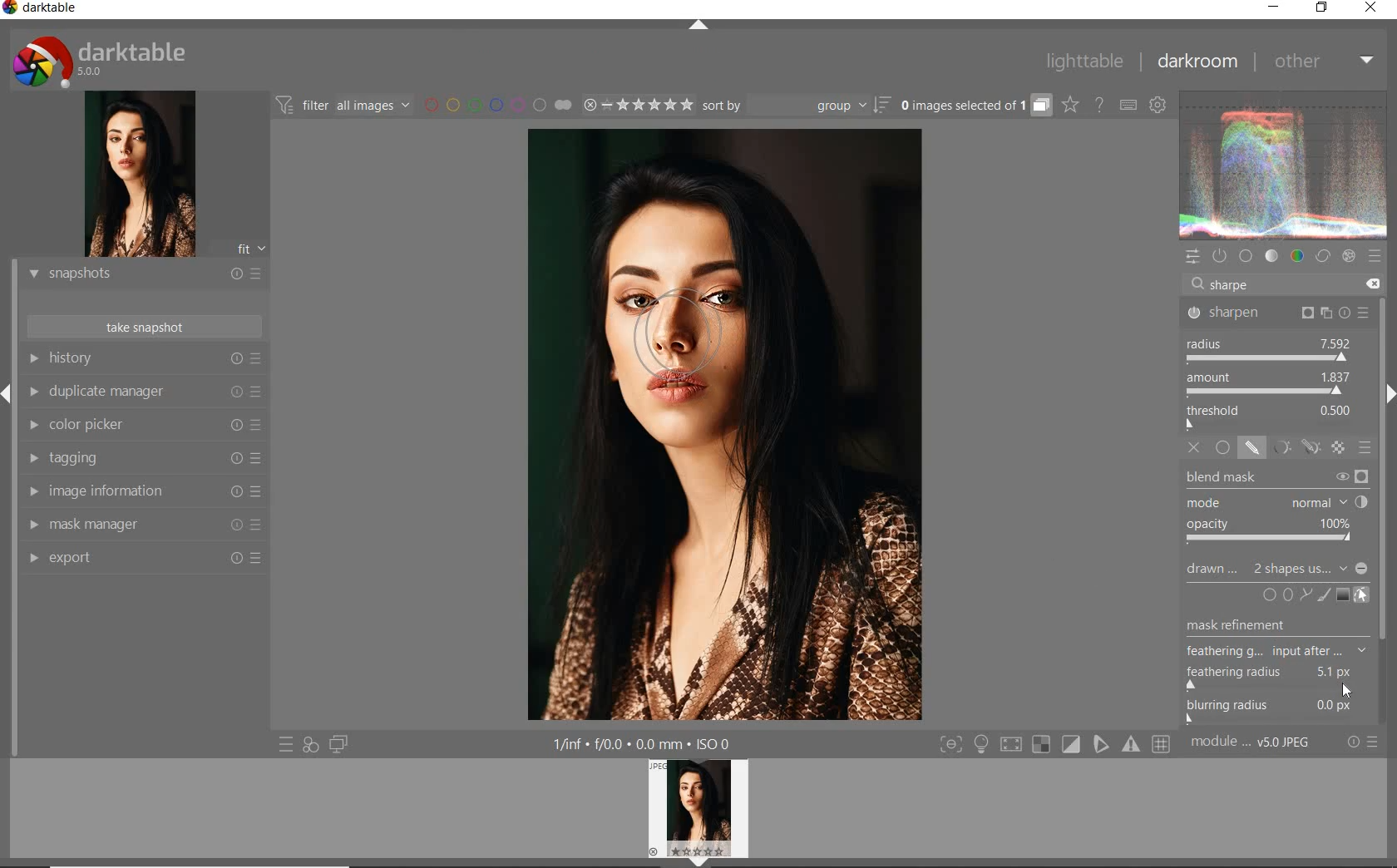 The height and width of the screenshot is (868, 1397). I want to click on system logo, so click(102, 61).